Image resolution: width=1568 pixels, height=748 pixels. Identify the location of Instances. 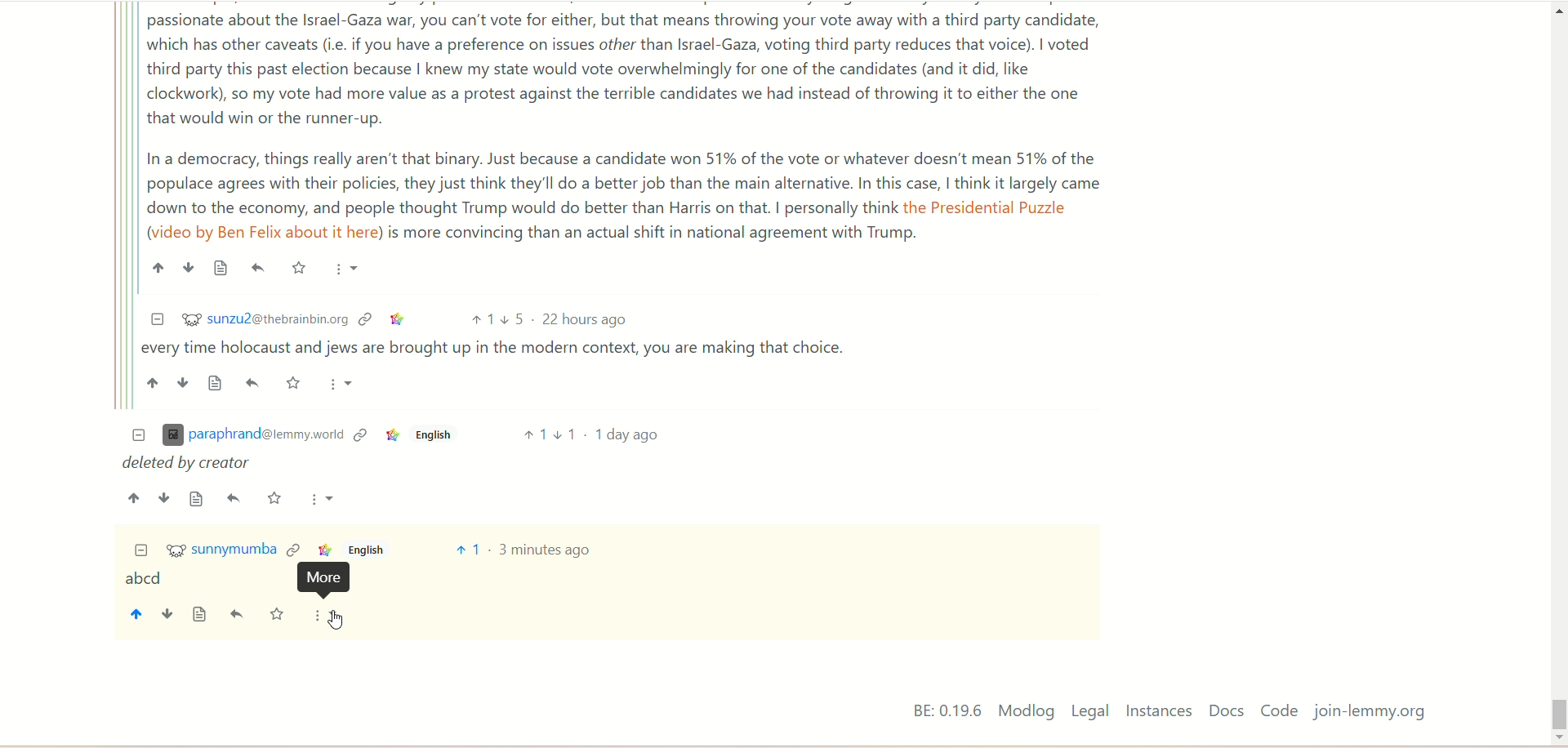
(1159, 711).